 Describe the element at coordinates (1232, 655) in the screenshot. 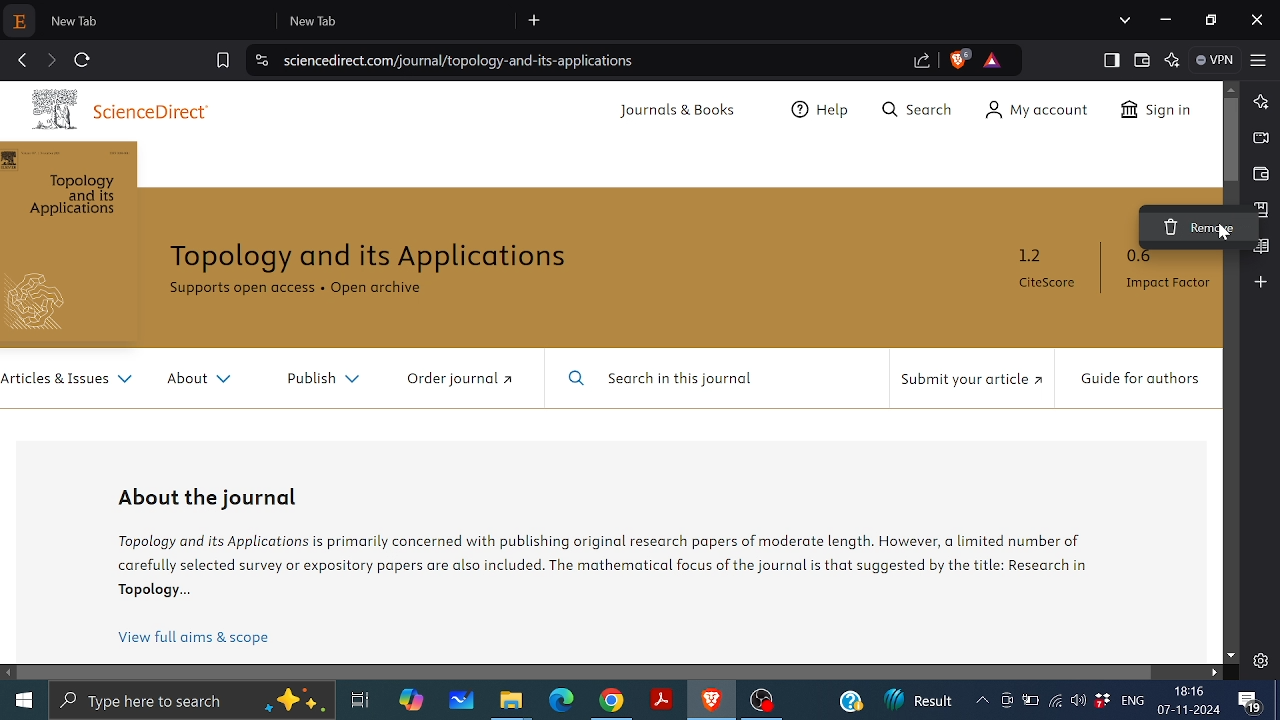

I see `Move down` at that location.